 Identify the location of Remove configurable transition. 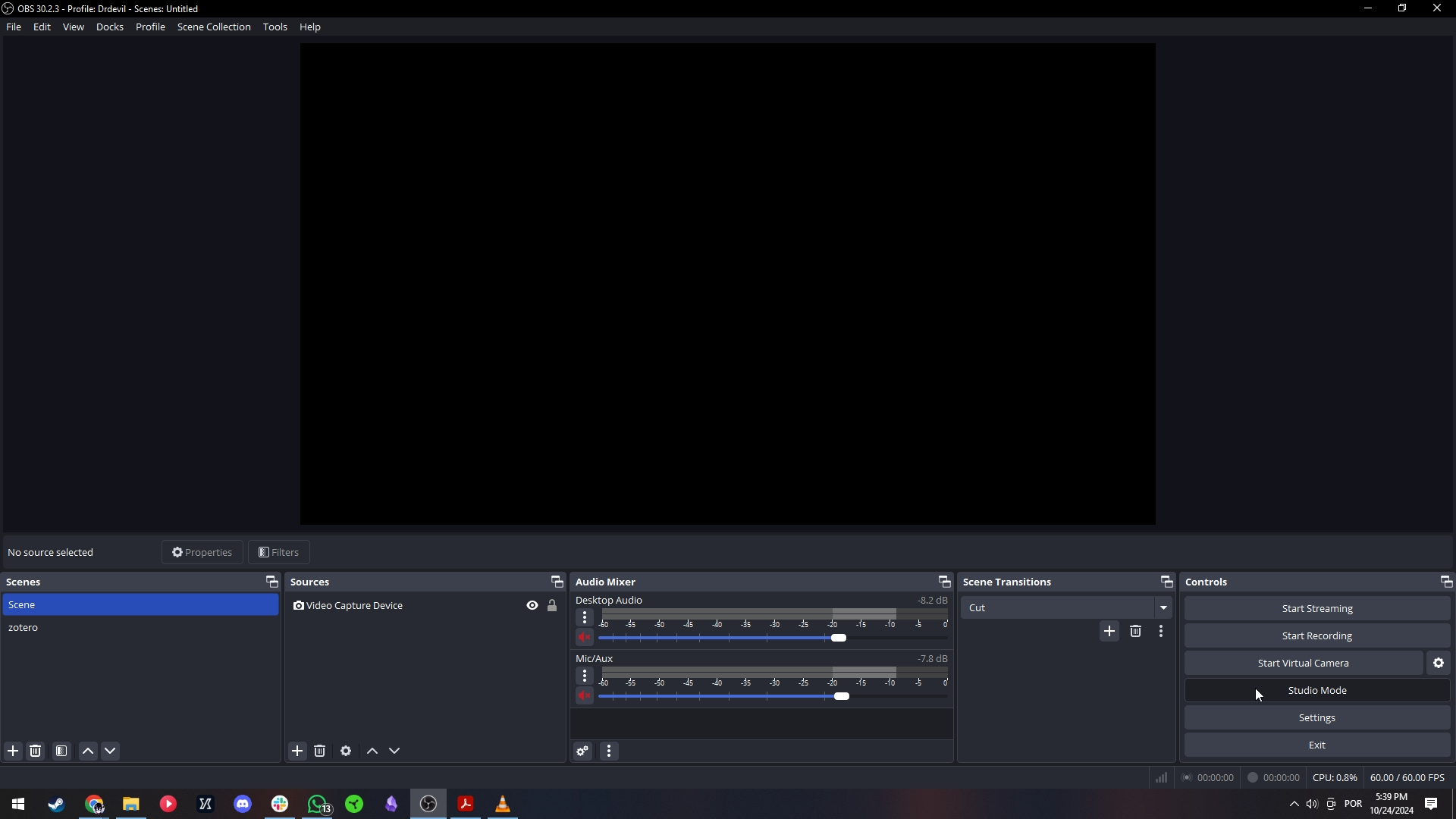
(1135, 632).